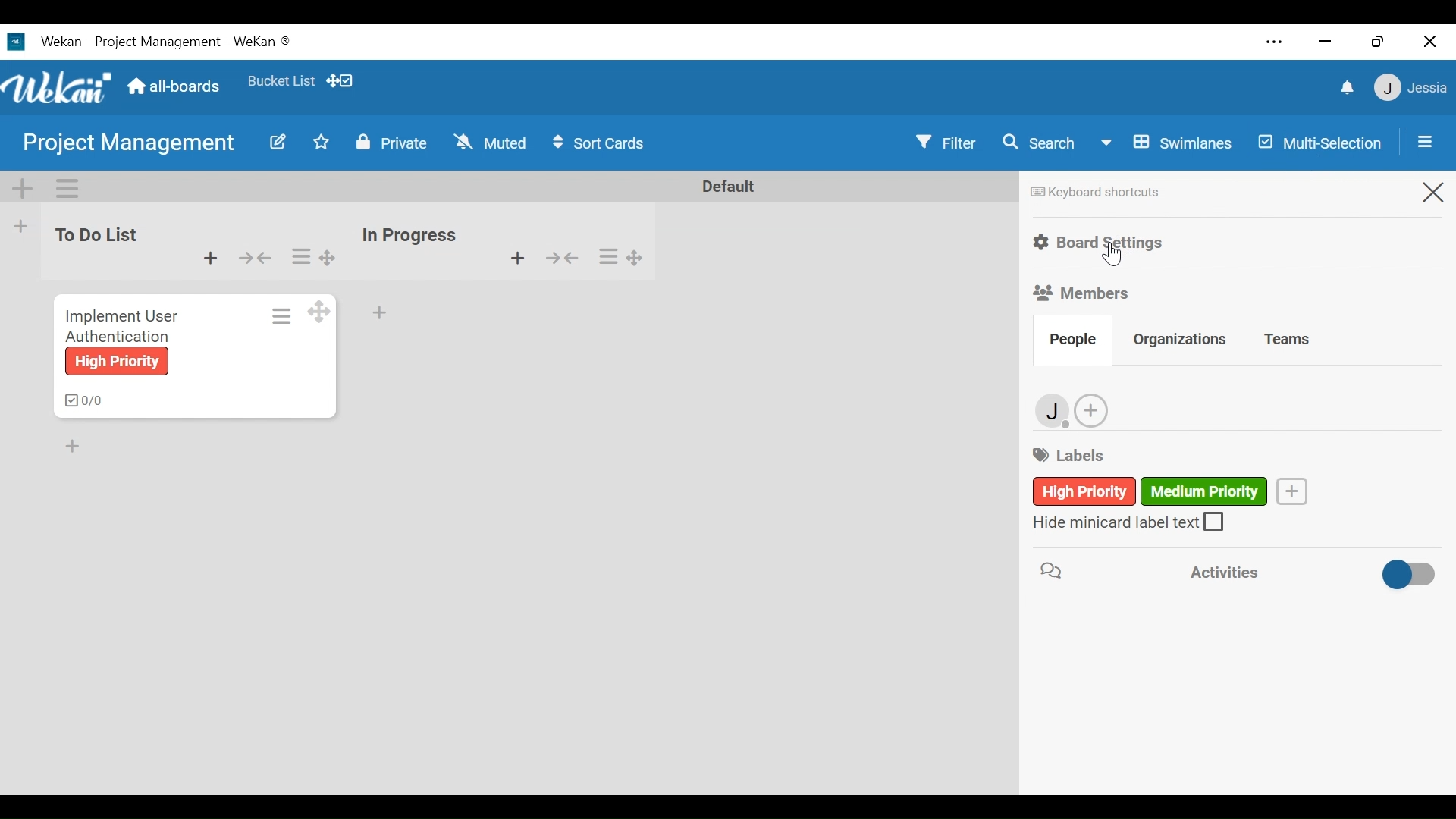  What do you see at coordinates (1053, 492) in the screenshot?
I see `high priority` at bounding box center [1053, 492].